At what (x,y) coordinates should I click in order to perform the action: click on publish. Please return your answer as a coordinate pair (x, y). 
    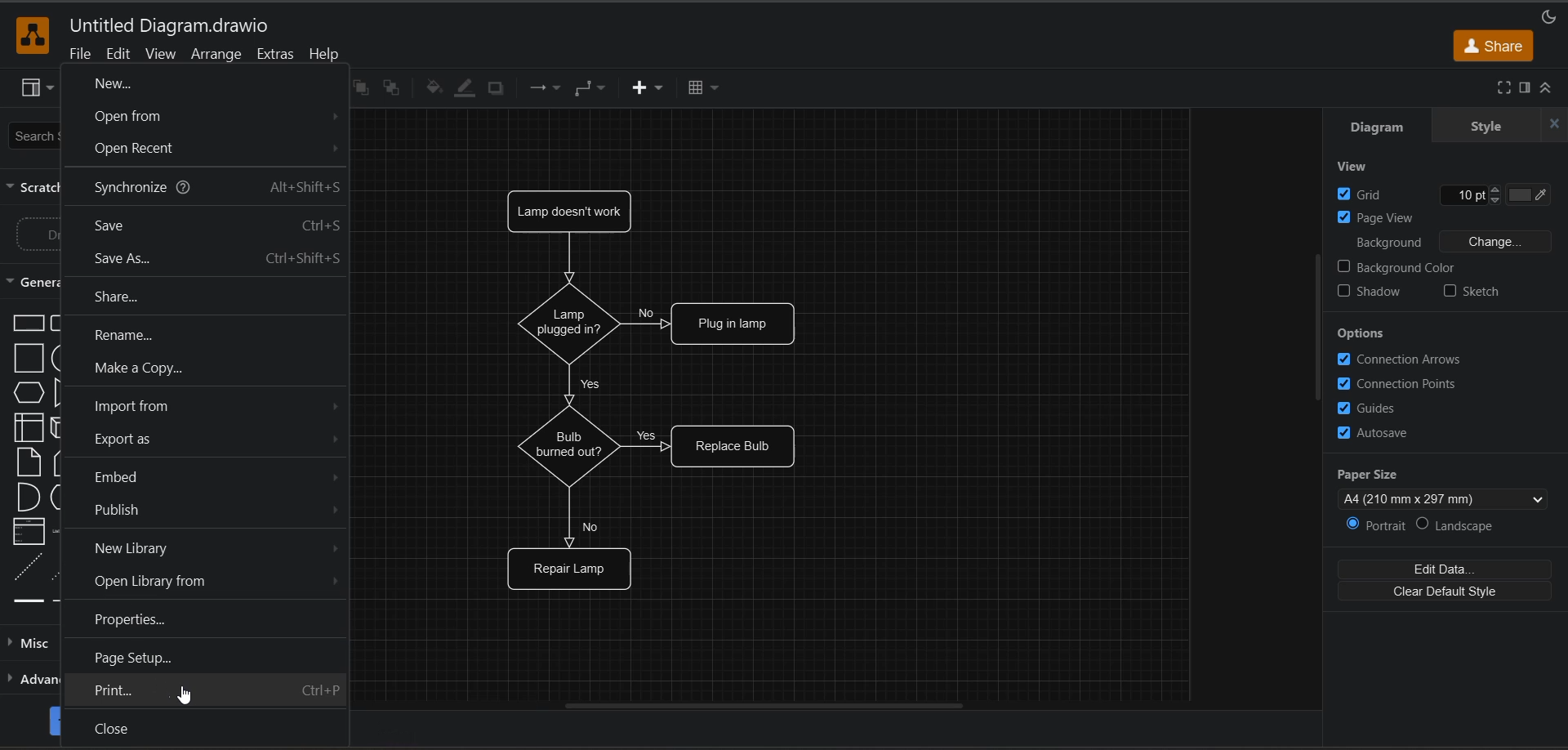
    Looking at the image, I should click on (212, 509).